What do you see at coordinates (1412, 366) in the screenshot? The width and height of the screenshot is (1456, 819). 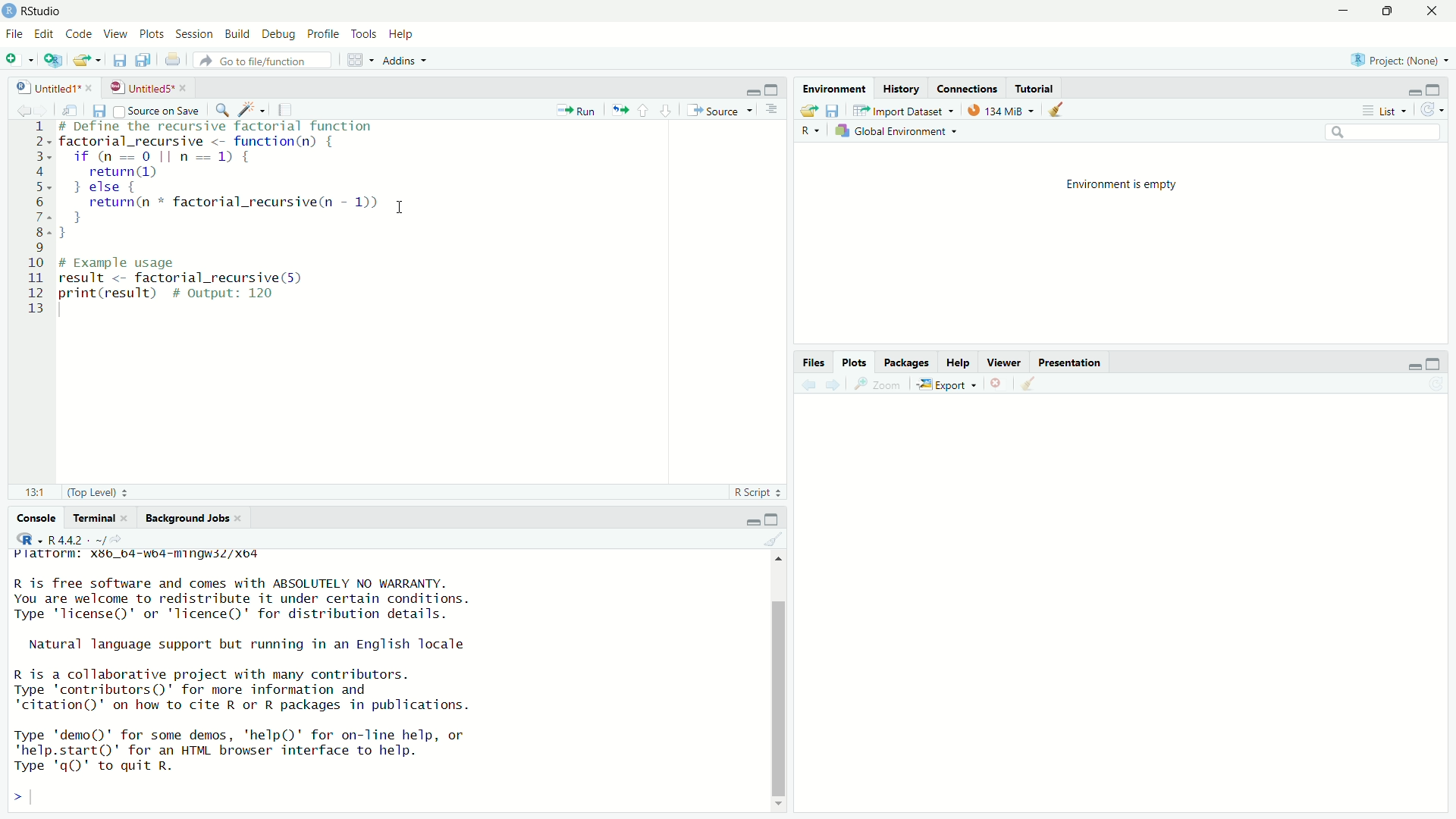 I see `Minimize` at bounding box center [1412, 366].